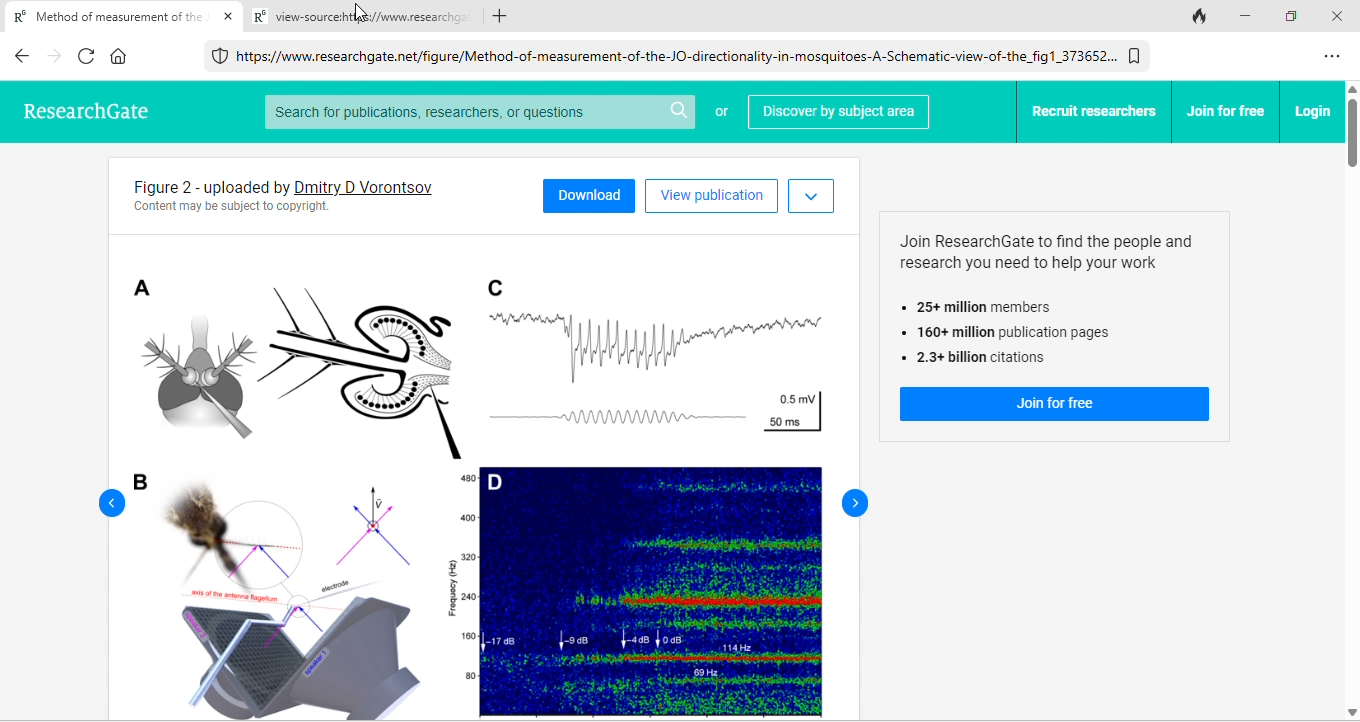 The image size is (1360, 722). What do you see at coordinates (1244, 14) in the screenshot?
I see `minimize` at bounding box center [1244, 14].